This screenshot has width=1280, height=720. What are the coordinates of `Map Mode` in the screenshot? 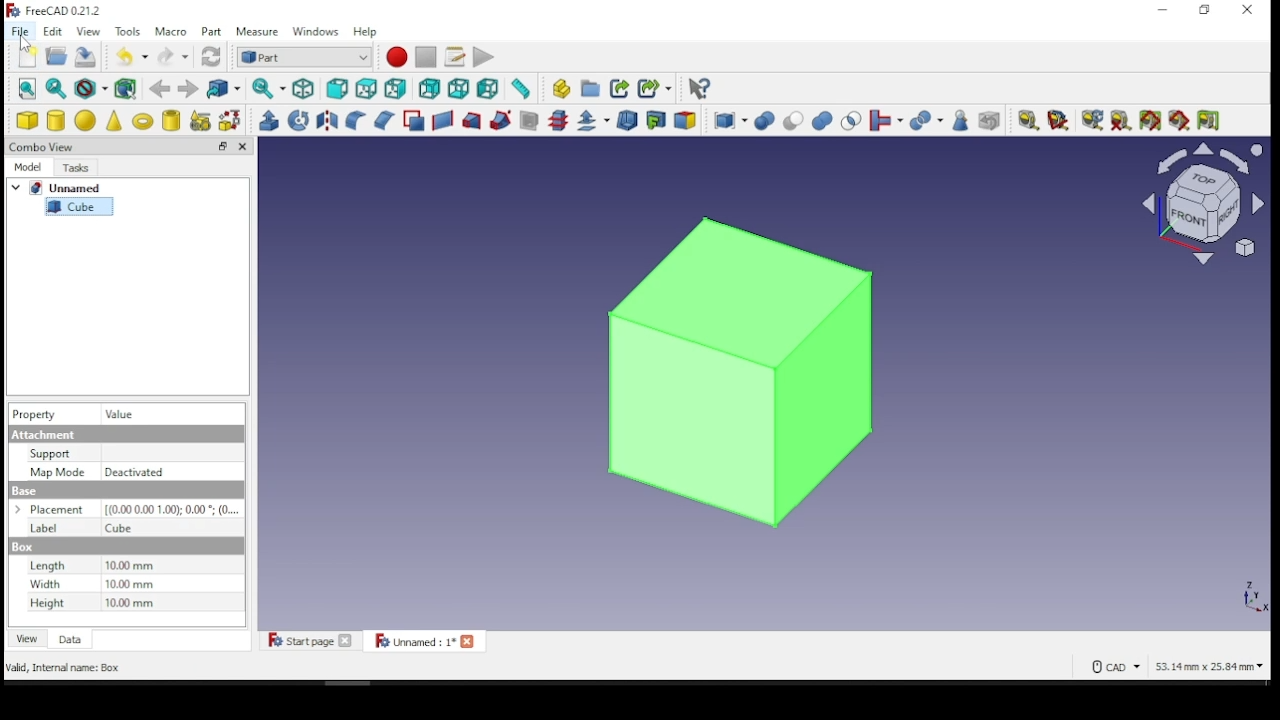 It's located at (57, 471).